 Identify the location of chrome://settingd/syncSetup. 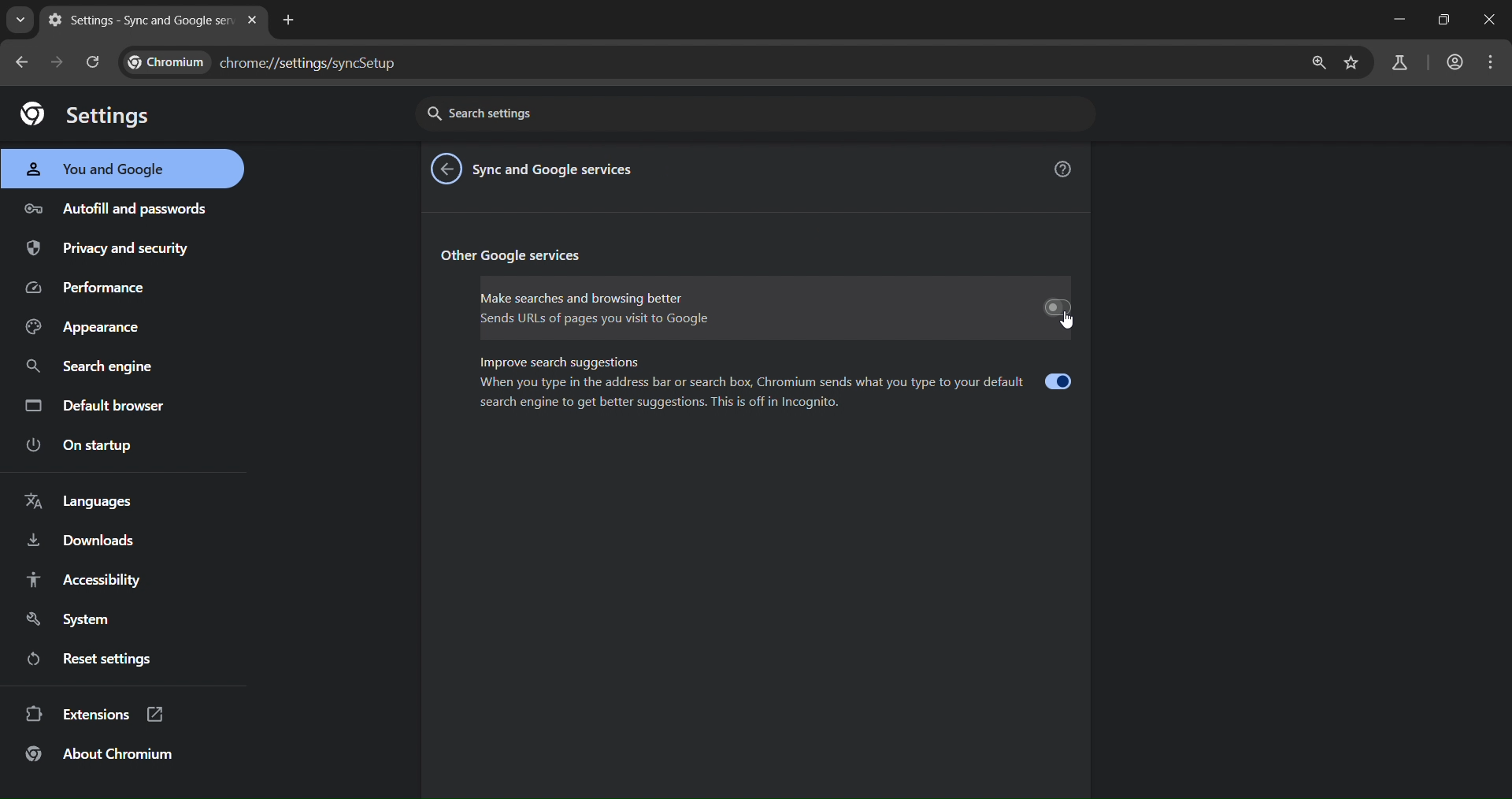
(272, 59).